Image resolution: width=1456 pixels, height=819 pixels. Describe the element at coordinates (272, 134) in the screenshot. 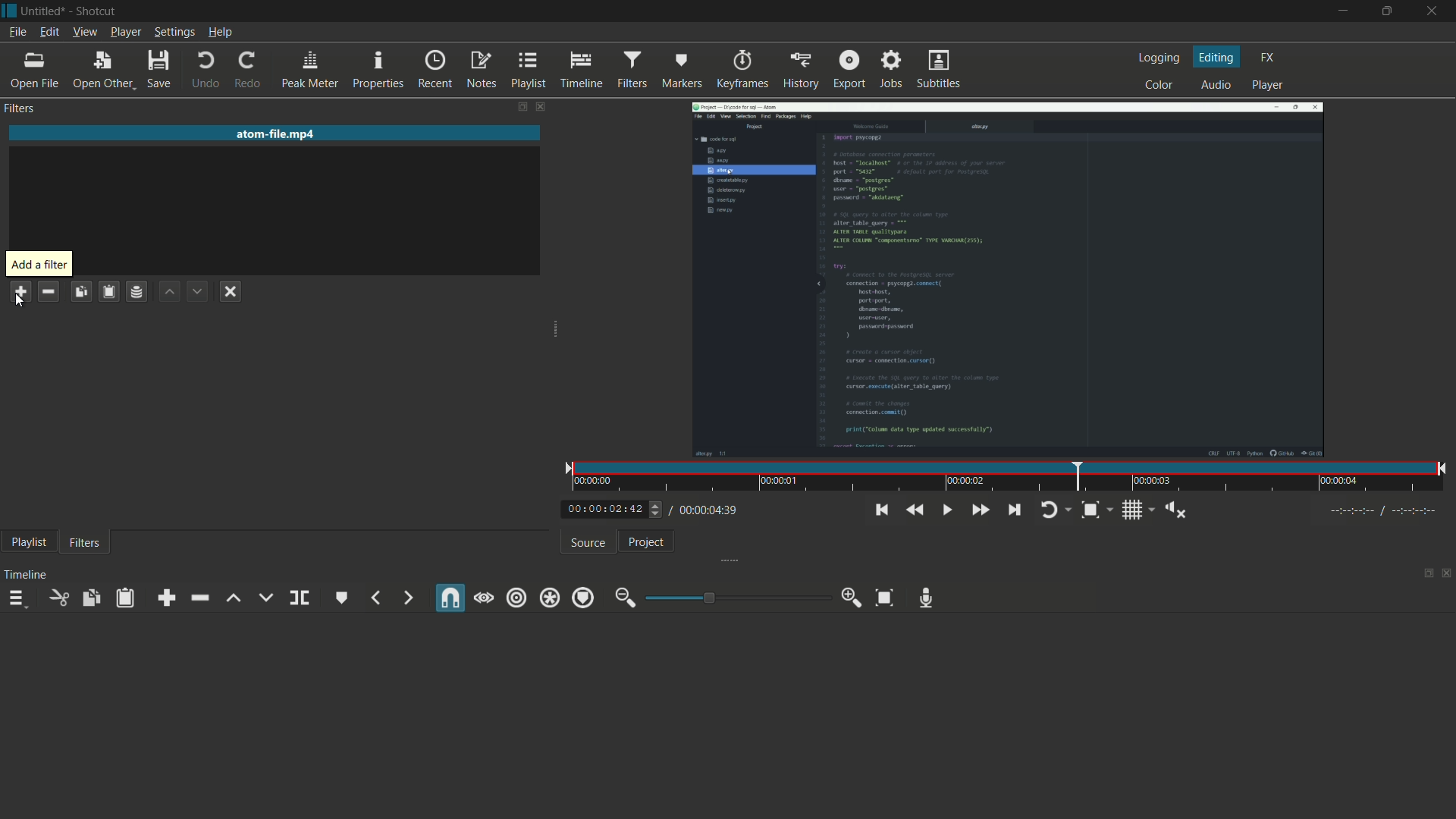

I see `imported file name` at that location.